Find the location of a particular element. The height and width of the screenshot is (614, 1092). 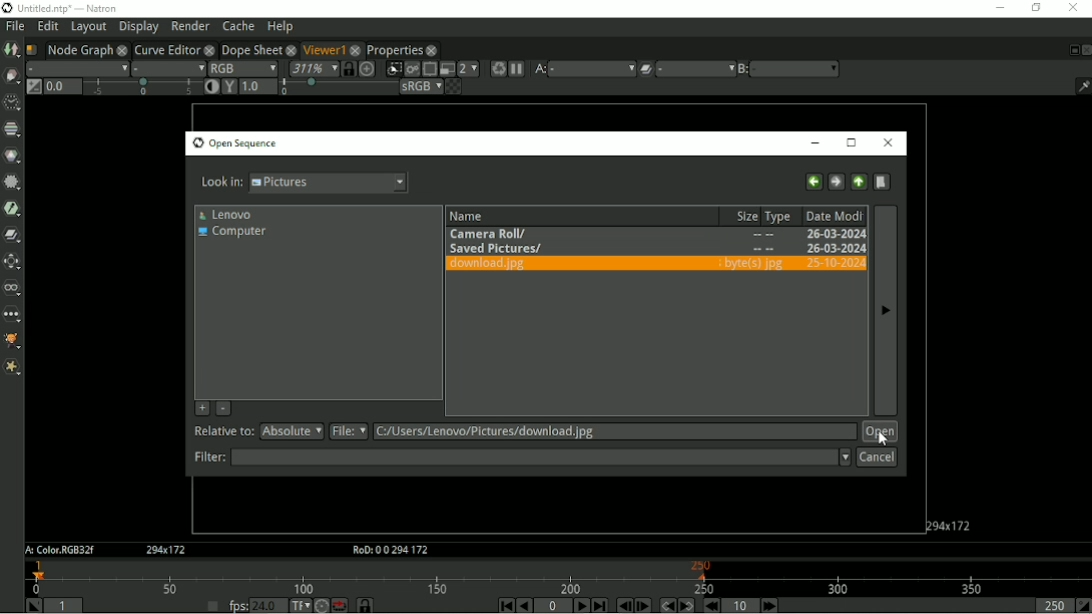

Pause updates is located at coordinates (518, 69).